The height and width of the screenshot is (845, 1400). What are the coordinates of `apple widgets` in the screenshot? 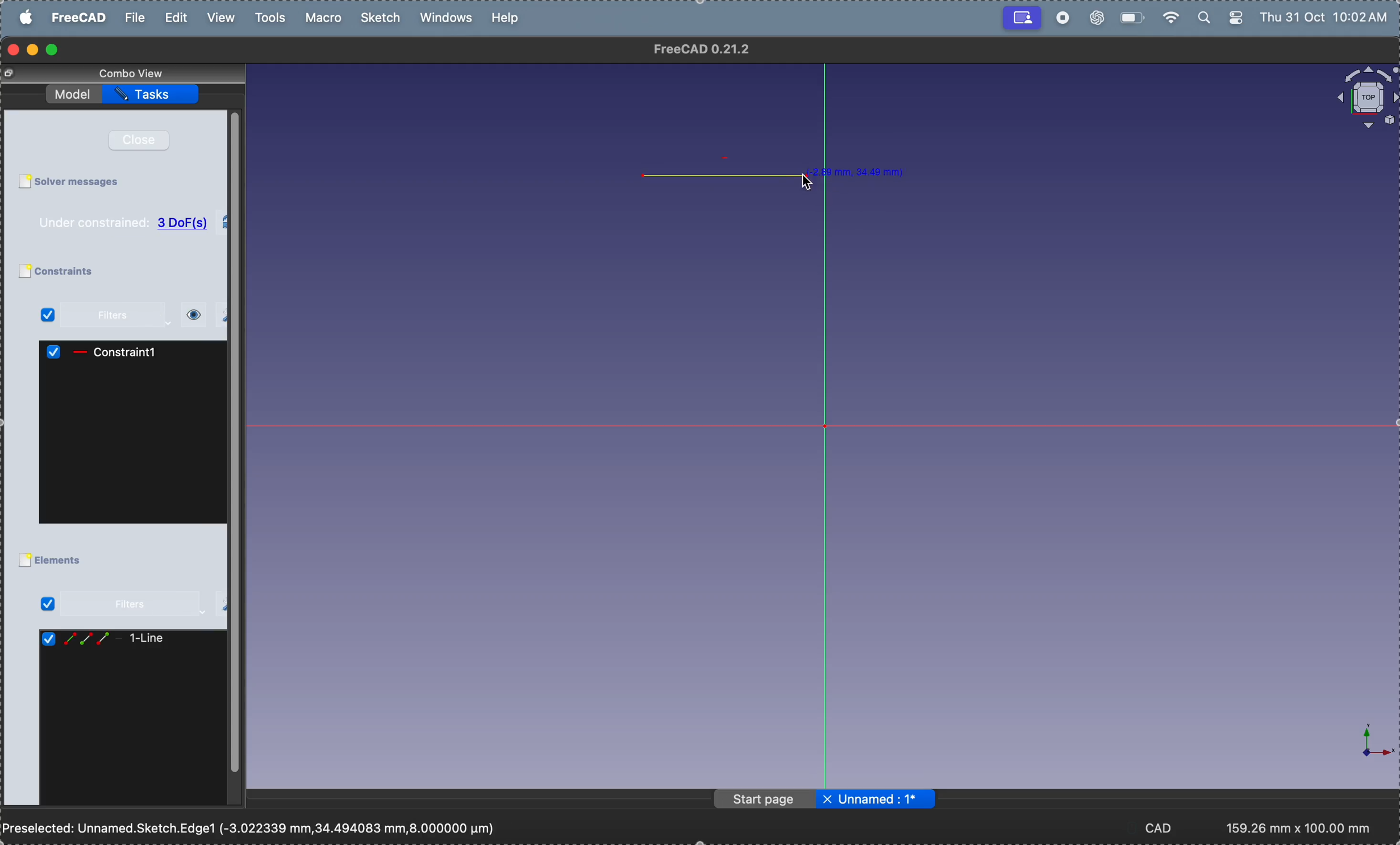 It's located at (1222, 18).